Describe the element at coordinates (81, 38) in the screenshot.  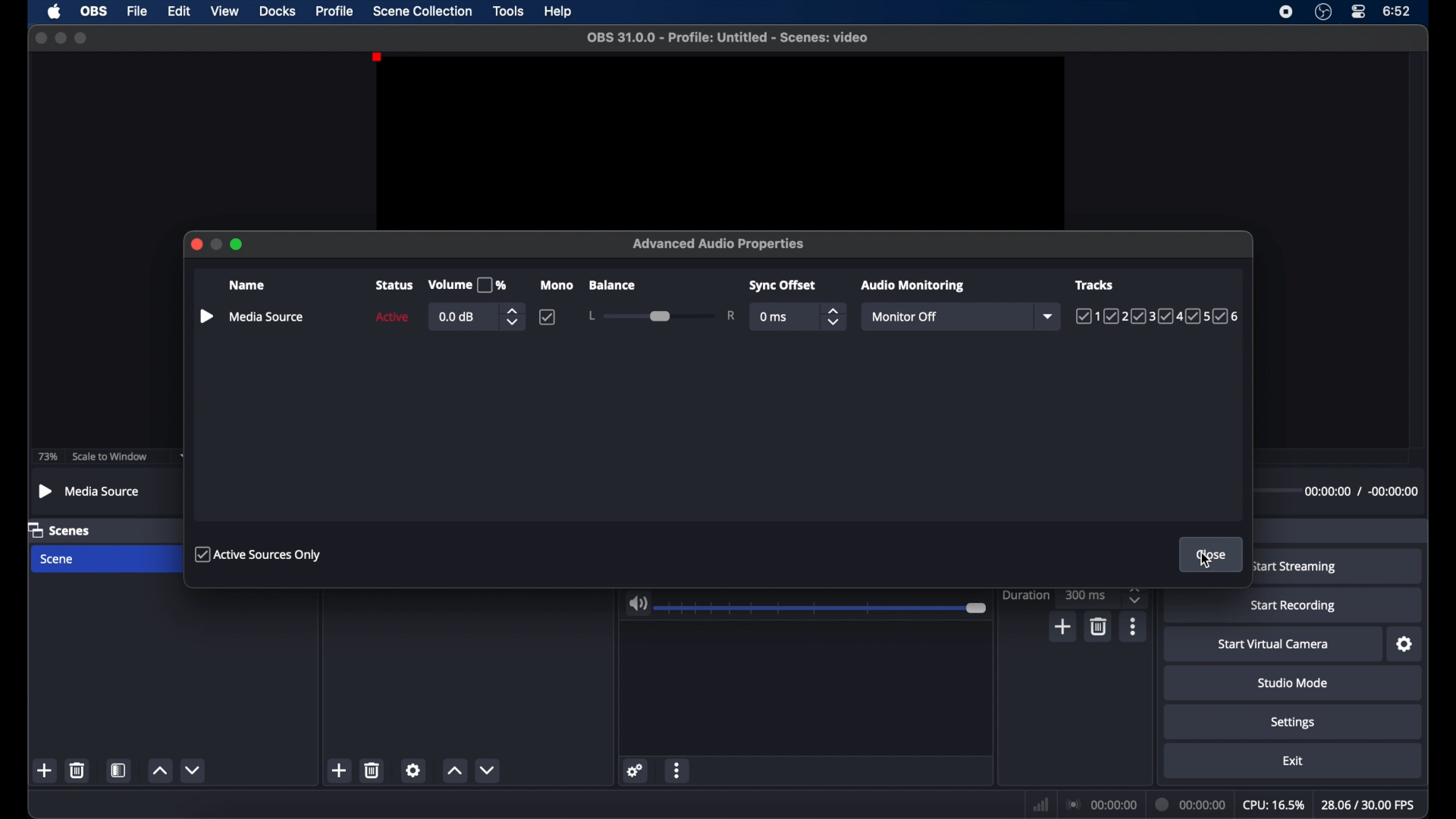
I see `maximize` at that location.